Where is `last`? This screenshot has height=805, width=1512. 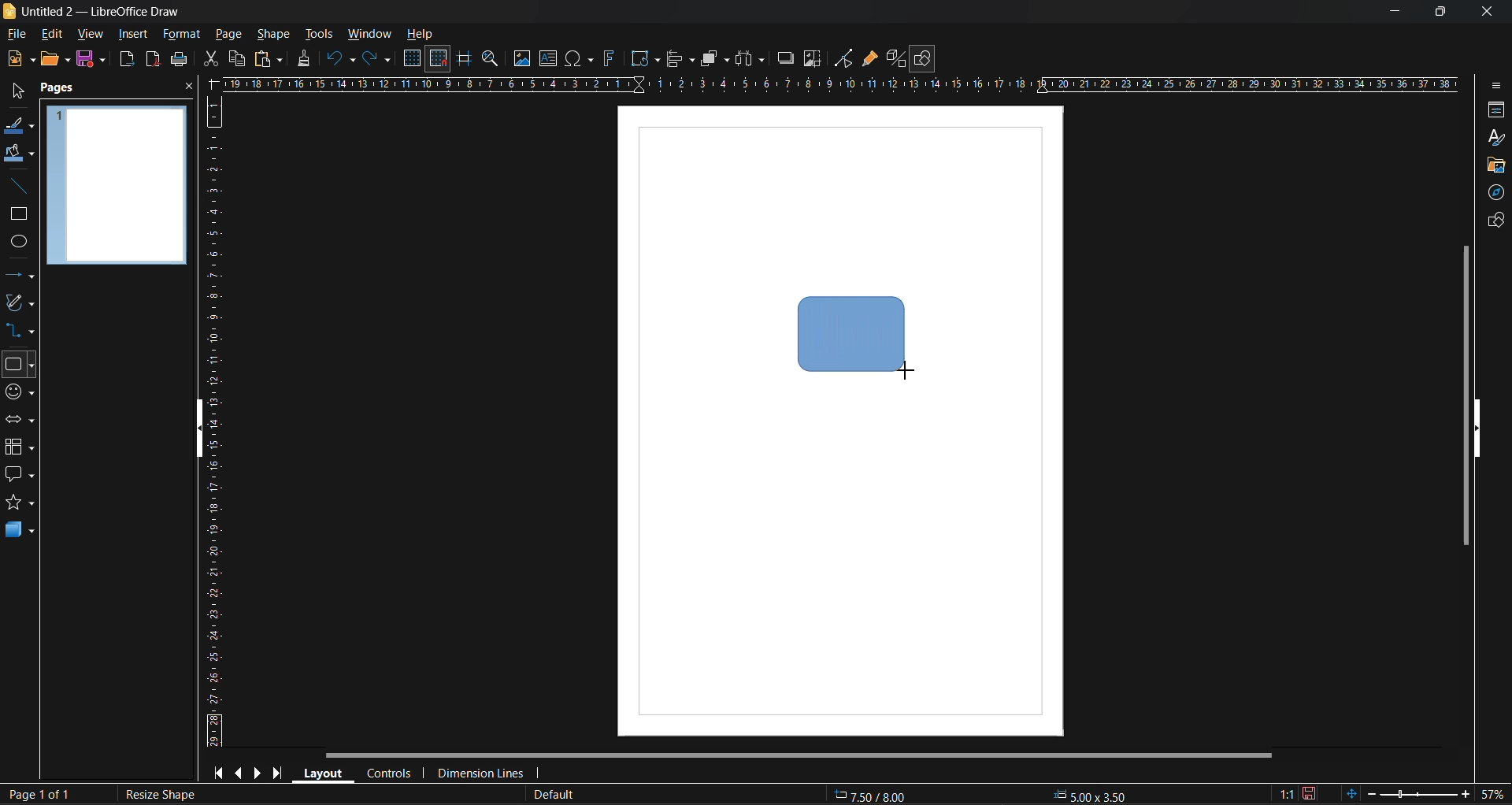
last is located at coordinates (279, 770).